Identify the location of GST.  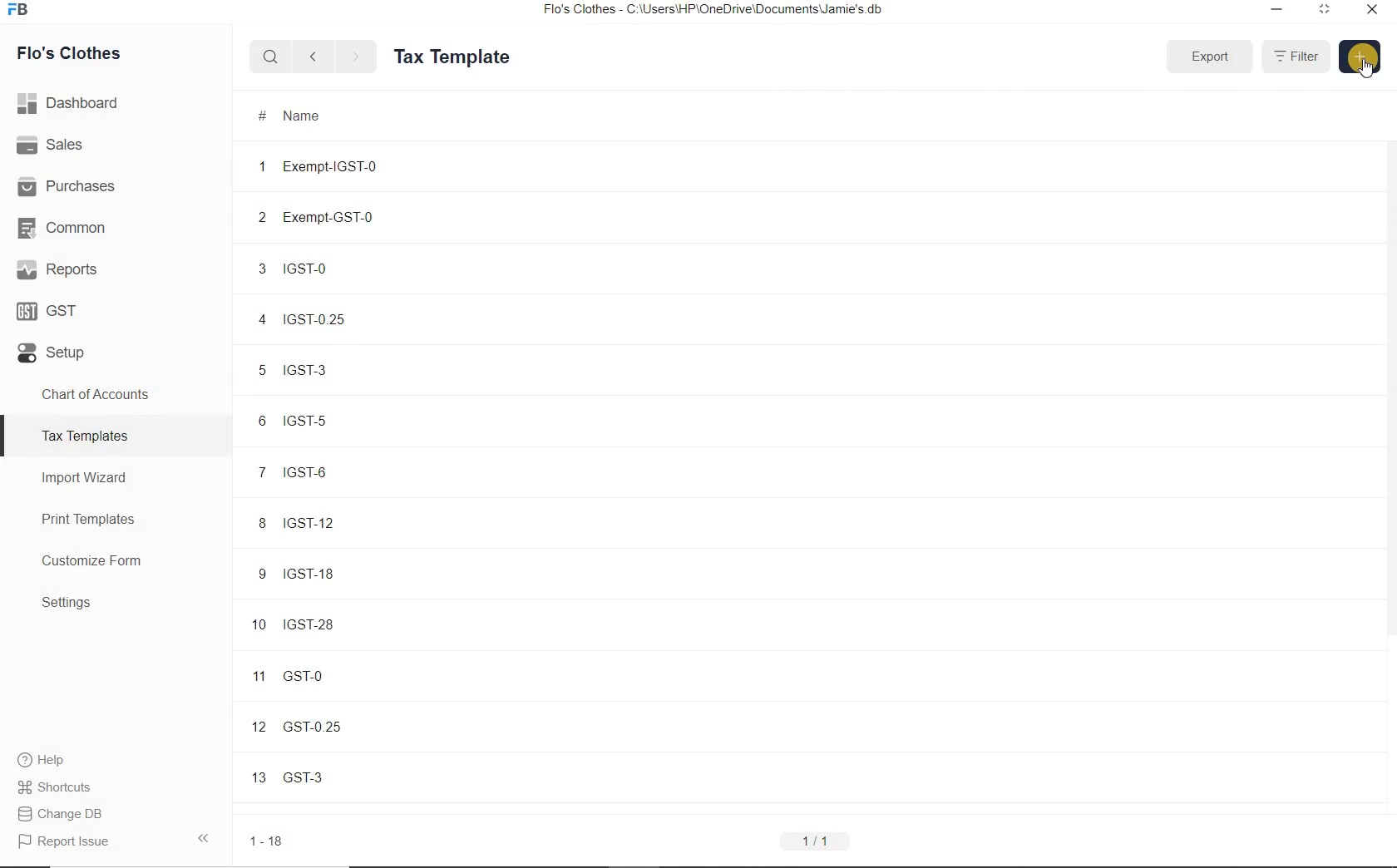
(116, 308).